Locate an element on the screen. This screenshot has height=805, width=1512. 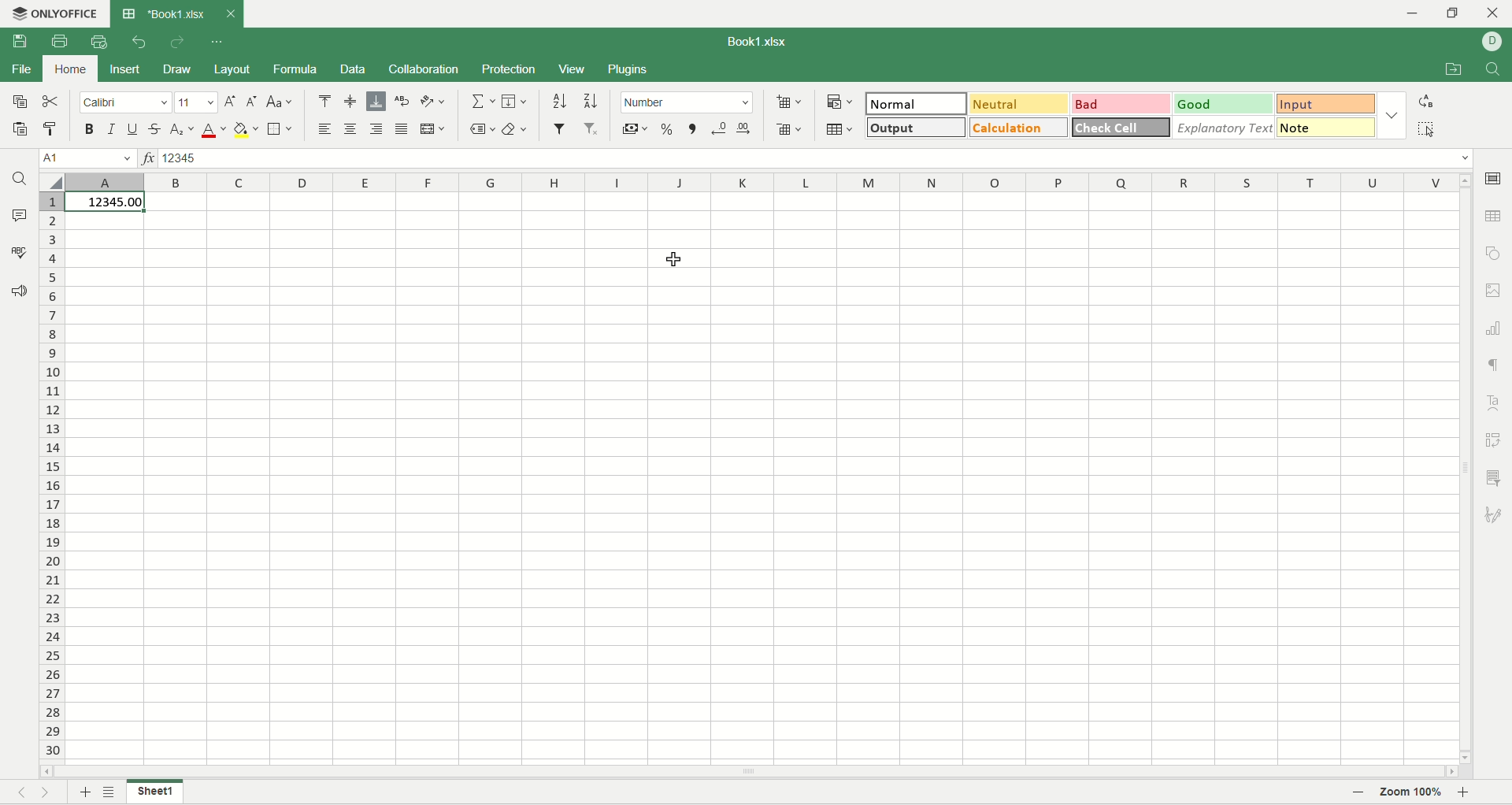
align top is located at coordinates (324, 102).